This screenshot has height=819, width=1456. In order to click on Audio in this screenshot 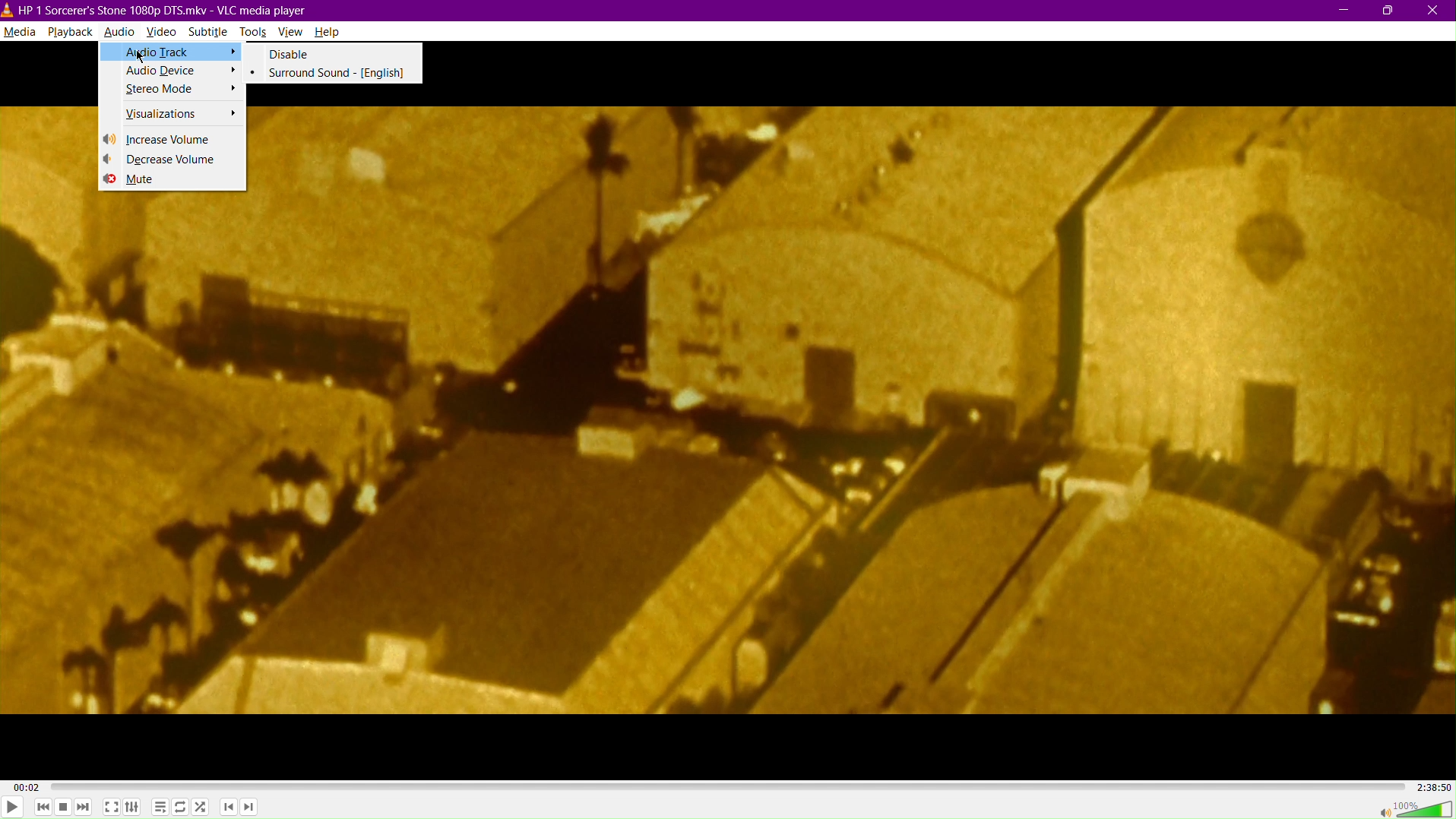, I will do `click(119, 33)`.